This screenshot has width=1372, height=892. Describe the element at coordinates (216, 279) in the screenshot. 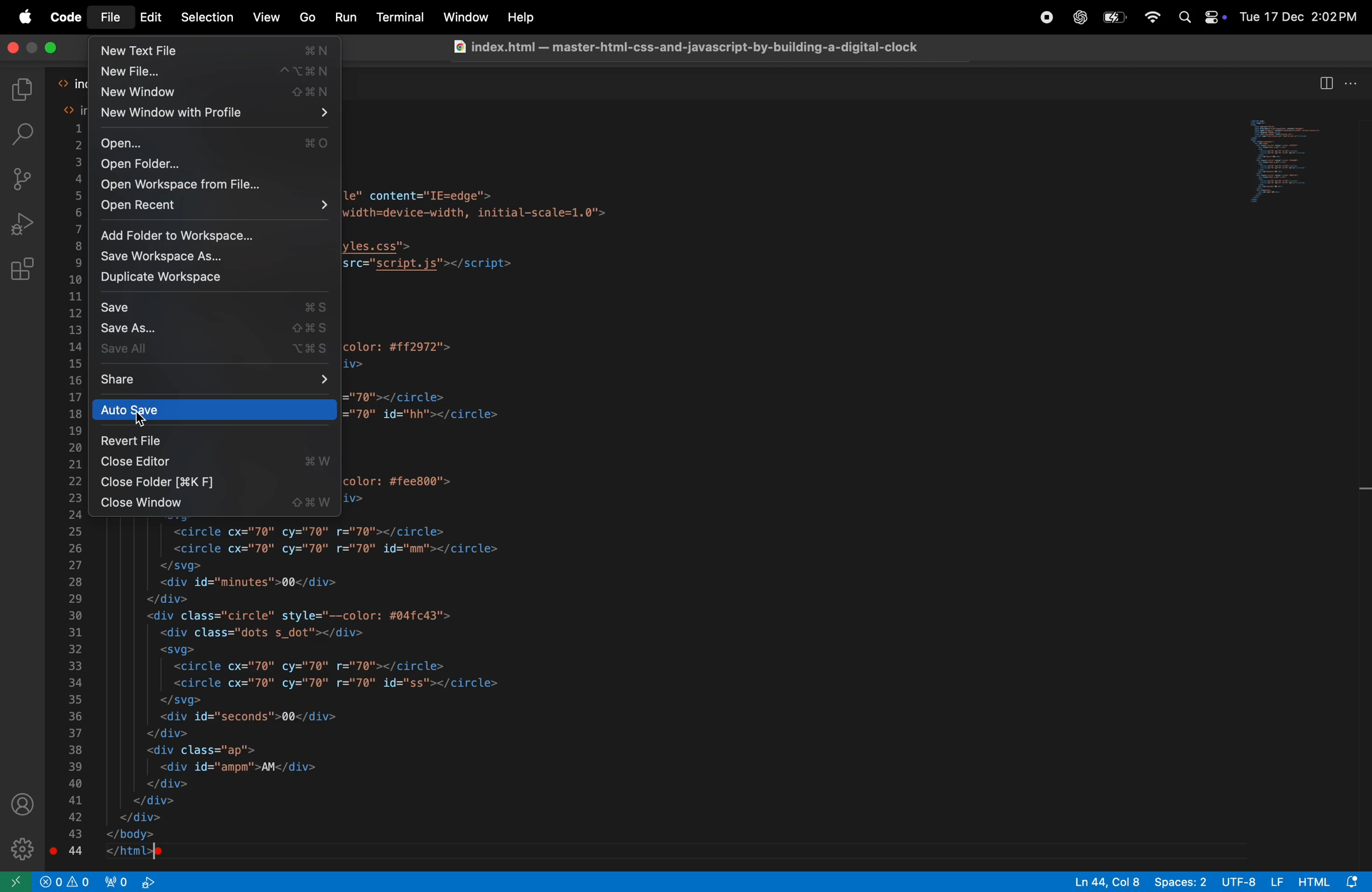

I see `duplicate` at that location.